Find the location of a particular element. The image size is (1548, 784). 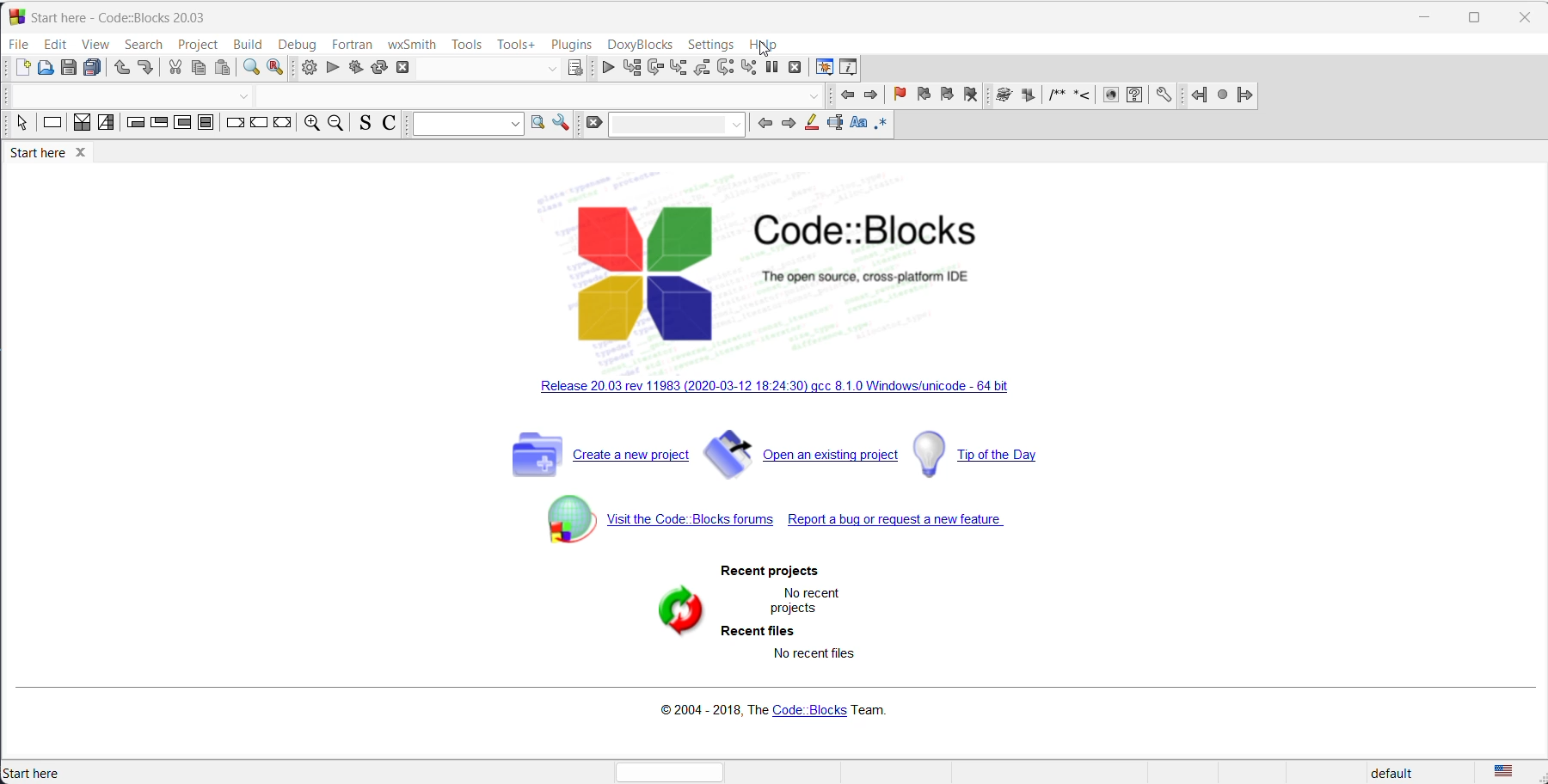

selected text is located at coordinates (834, 126).